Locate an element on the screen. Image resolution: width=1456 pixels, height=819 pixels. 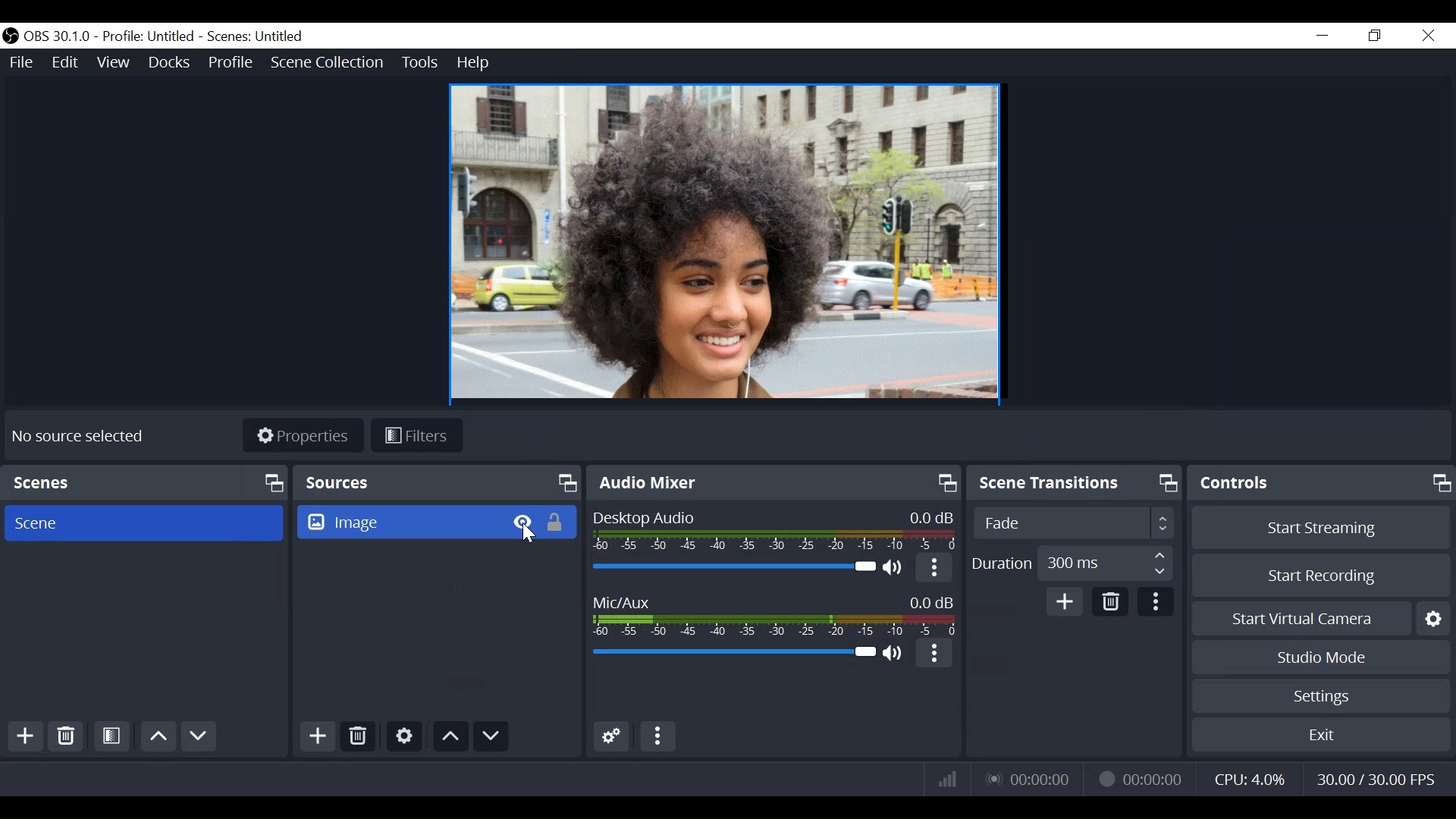
(un)Lock is located at coordinates (559, 522).